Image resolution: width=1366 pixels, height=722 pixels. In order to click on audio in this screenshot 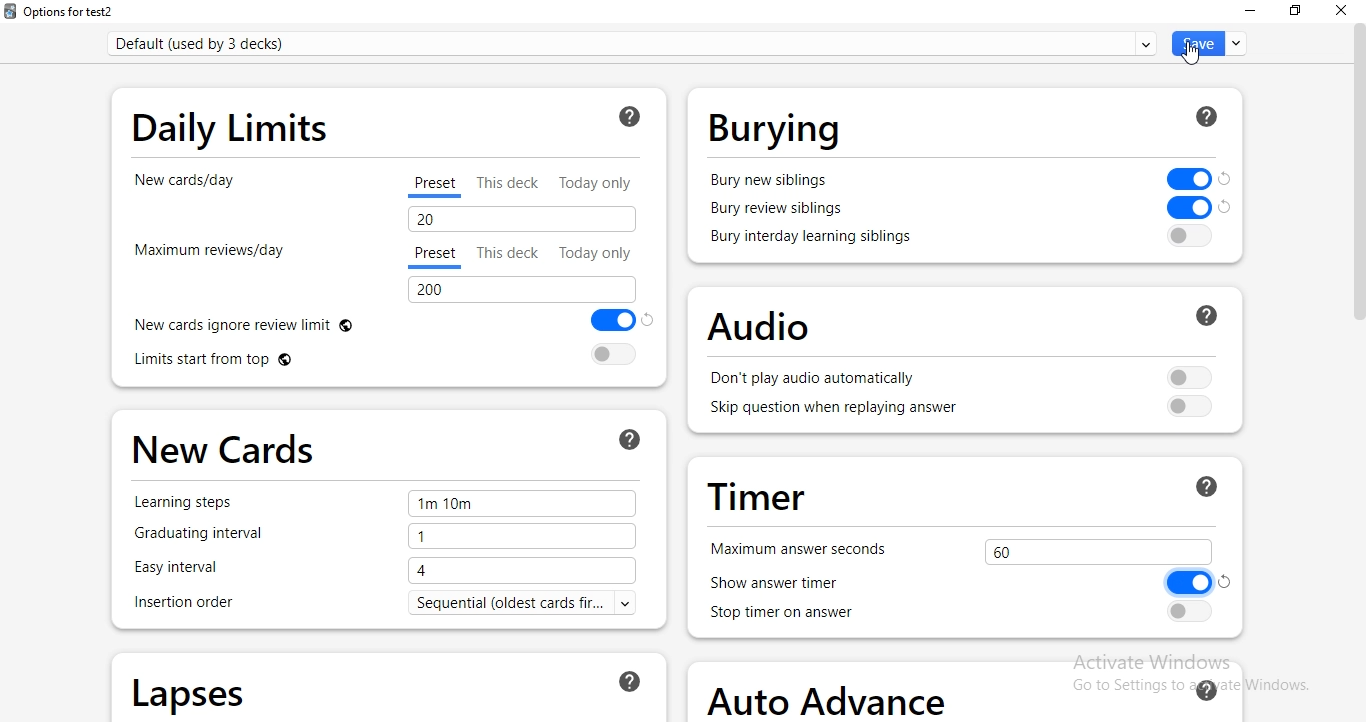, I will do `click(970, 328)`.